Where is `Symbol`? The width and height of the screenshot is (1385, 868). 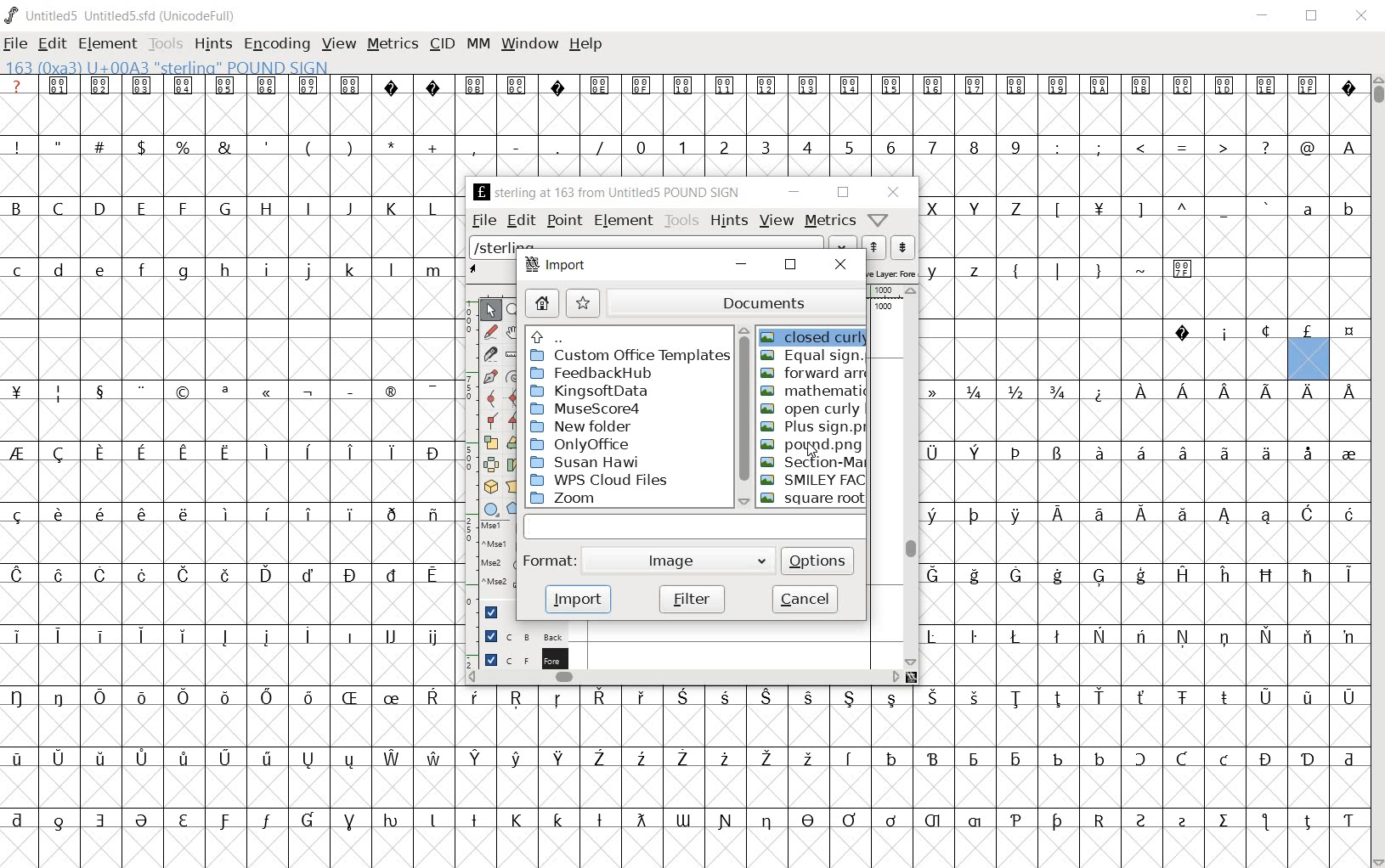
Symbol is located at coordinates (181, 759).